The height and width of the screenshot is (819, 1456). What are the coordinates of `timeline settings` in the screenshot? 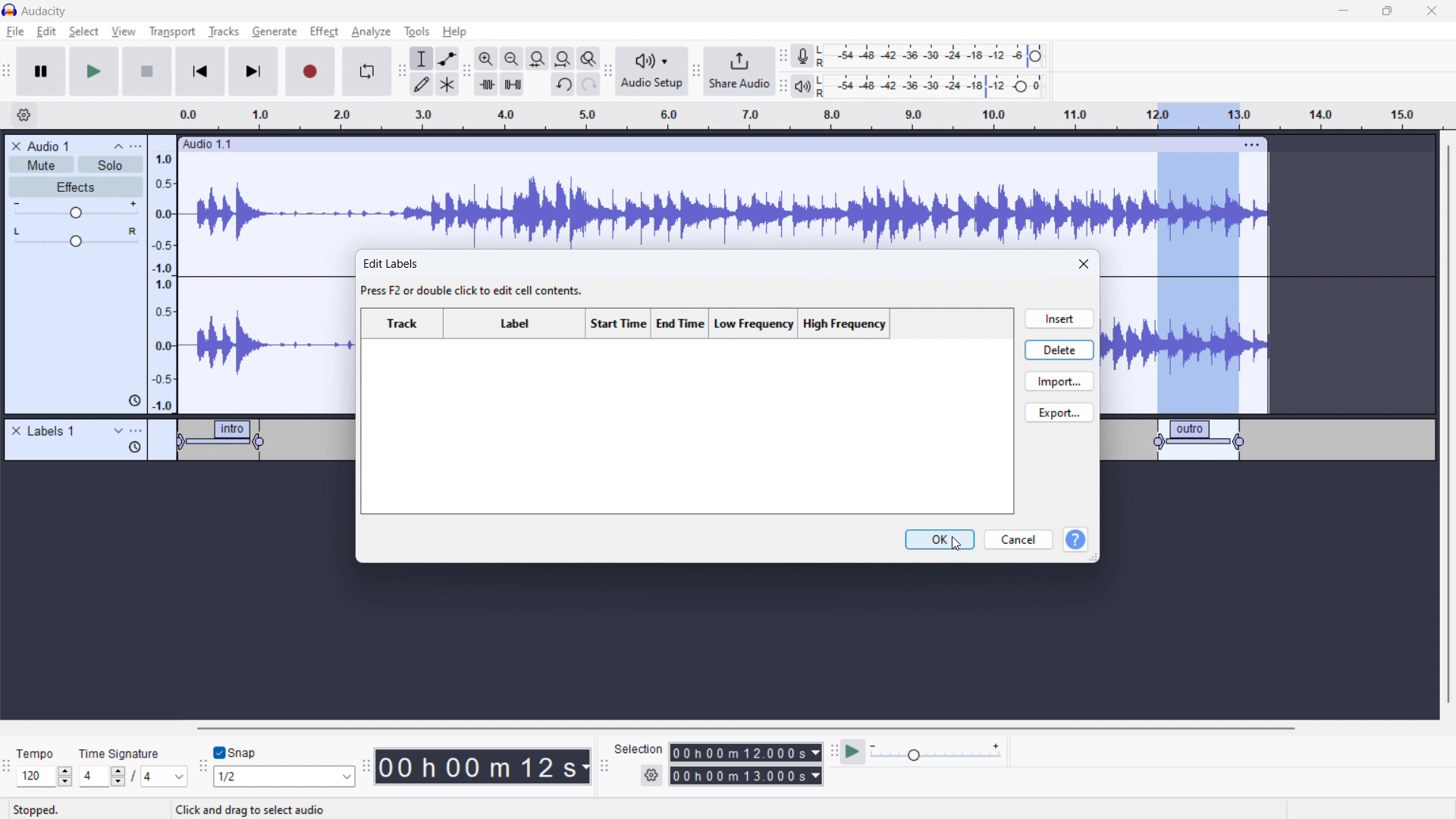 It's located at (24, 116).